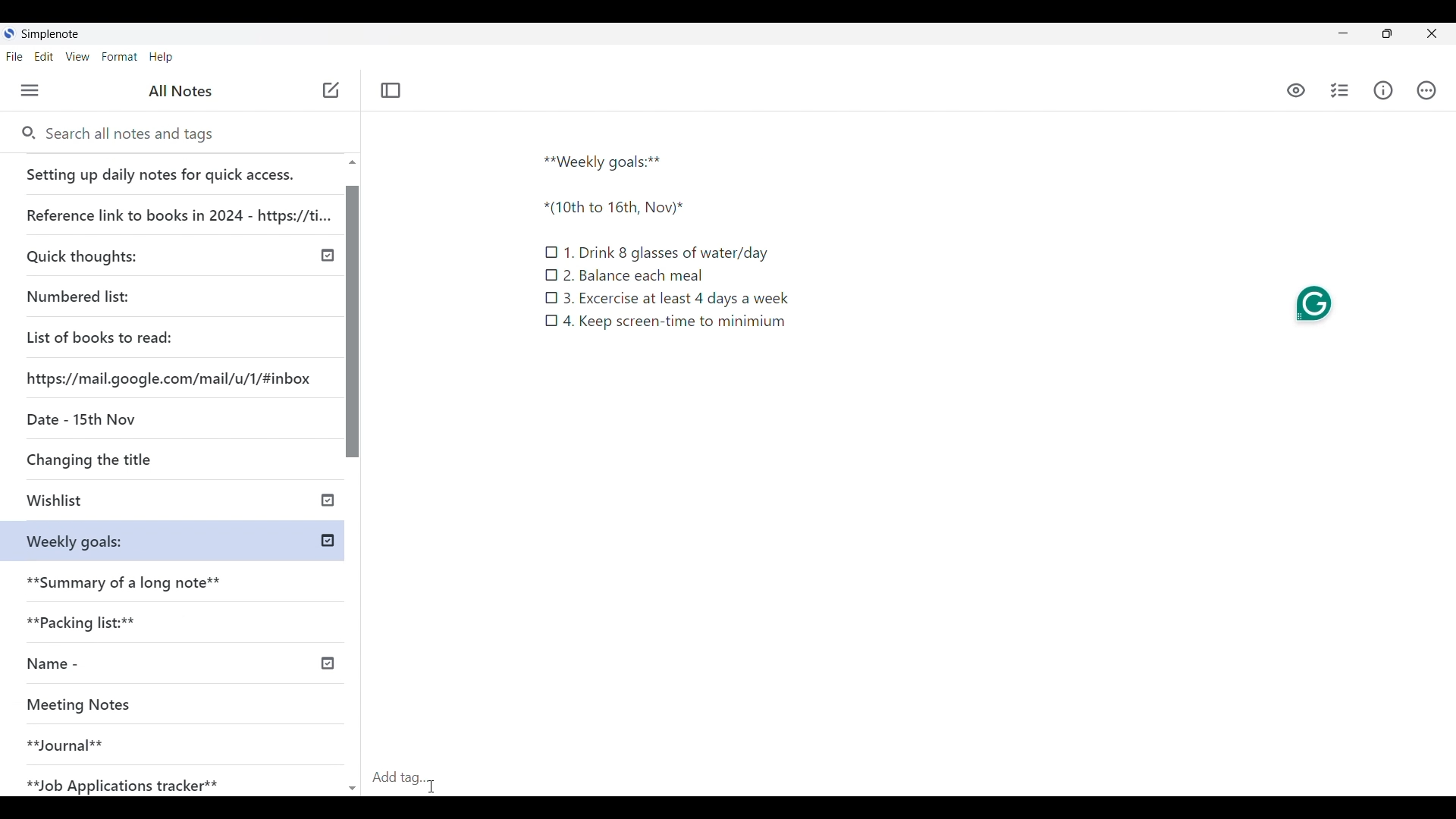 Image resolution: width=1456 pixels, height=819 pixels. Describe the element at coordinates (174, 170) in the screenshot. I see `Setting up daily notes for quick access` at that location.